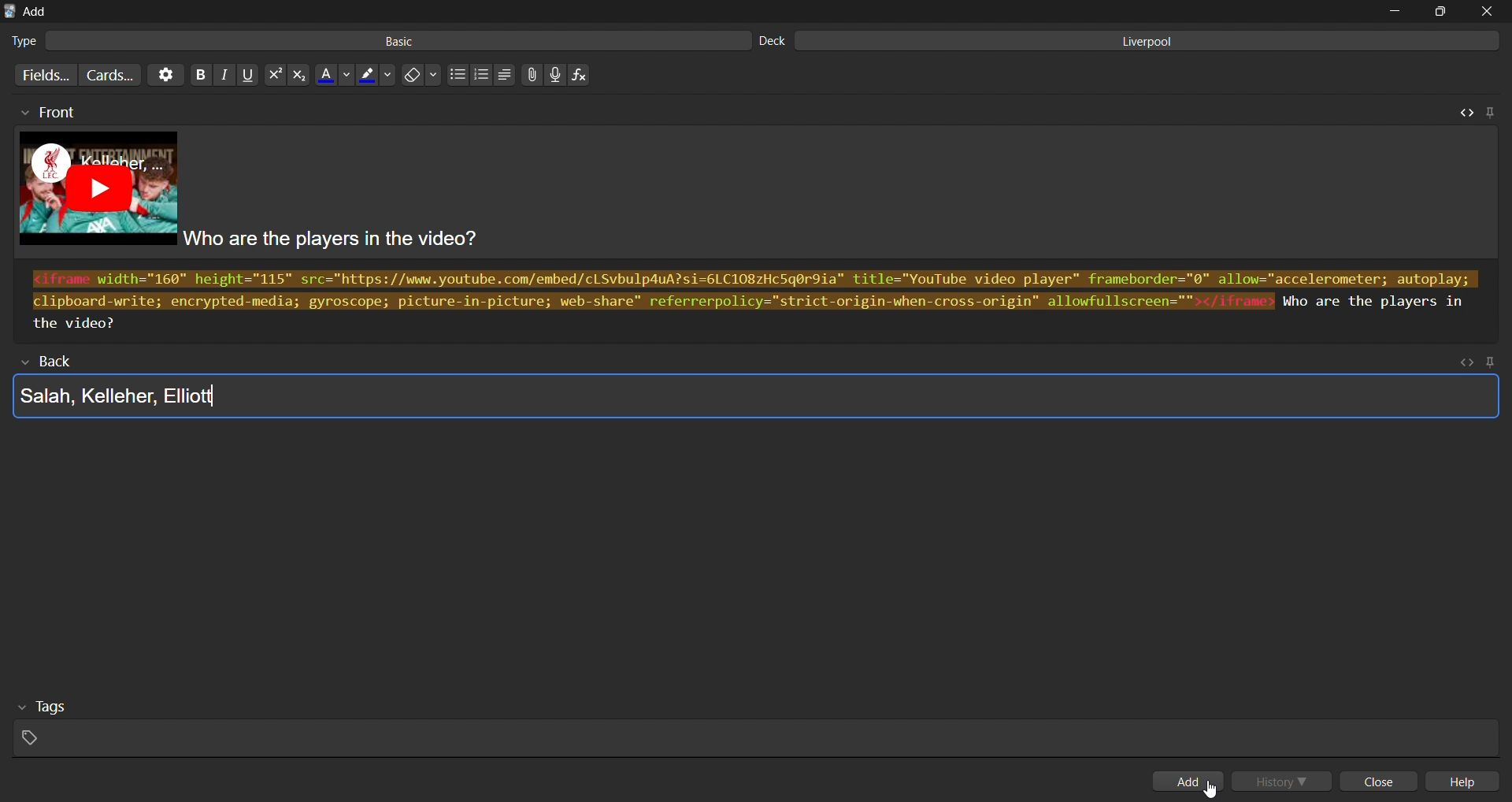  Describe the element at coordinates (56, 362) in the screenshot. I see `back` at that location.